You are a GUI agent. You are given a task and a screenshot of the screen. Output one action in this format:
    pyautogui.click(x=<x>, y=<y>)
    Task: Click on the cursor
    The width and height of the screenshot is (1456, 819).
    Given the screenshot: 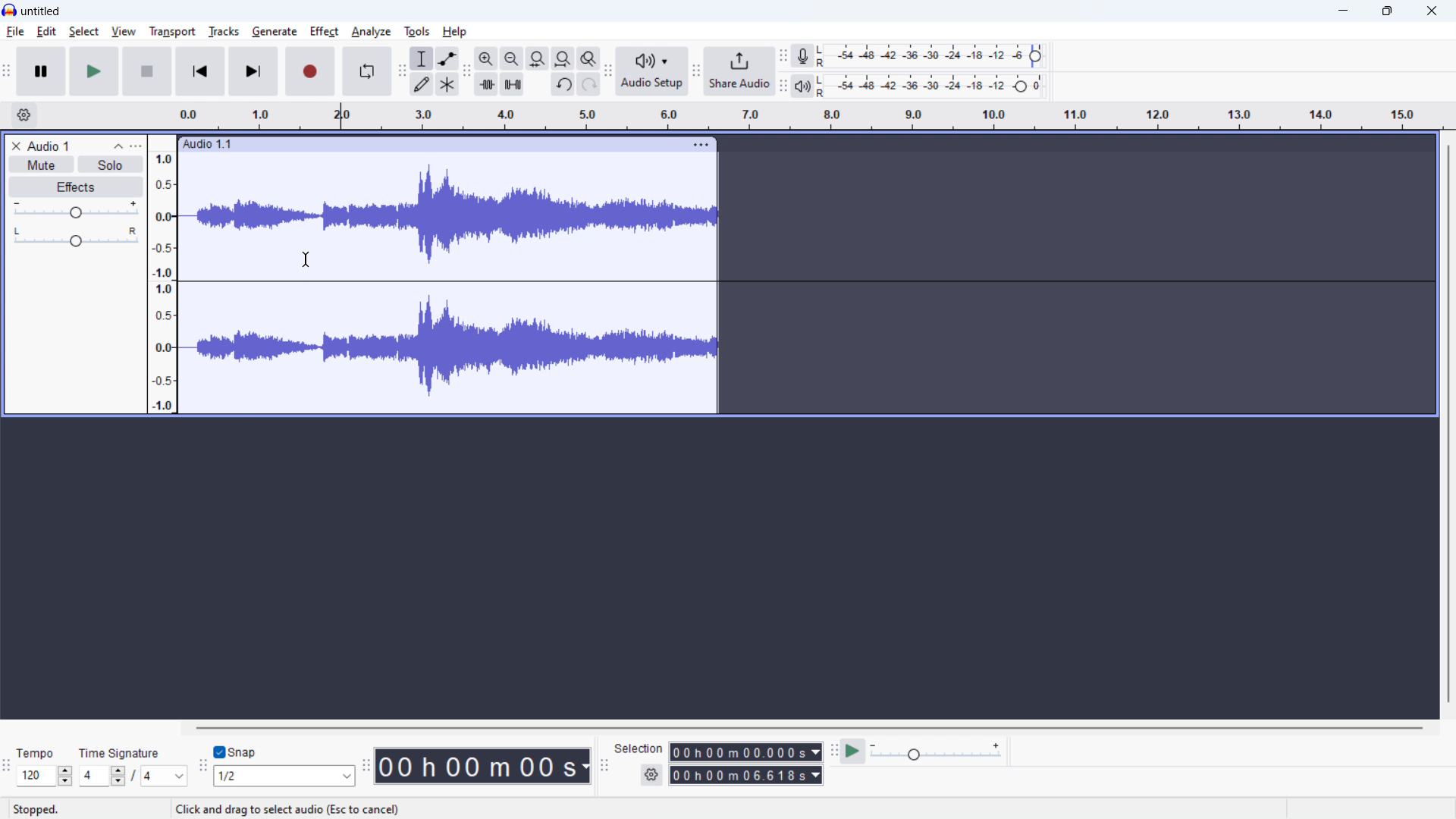 What is the action you would take?
    pyautogui.click(x=306, y=259)
    